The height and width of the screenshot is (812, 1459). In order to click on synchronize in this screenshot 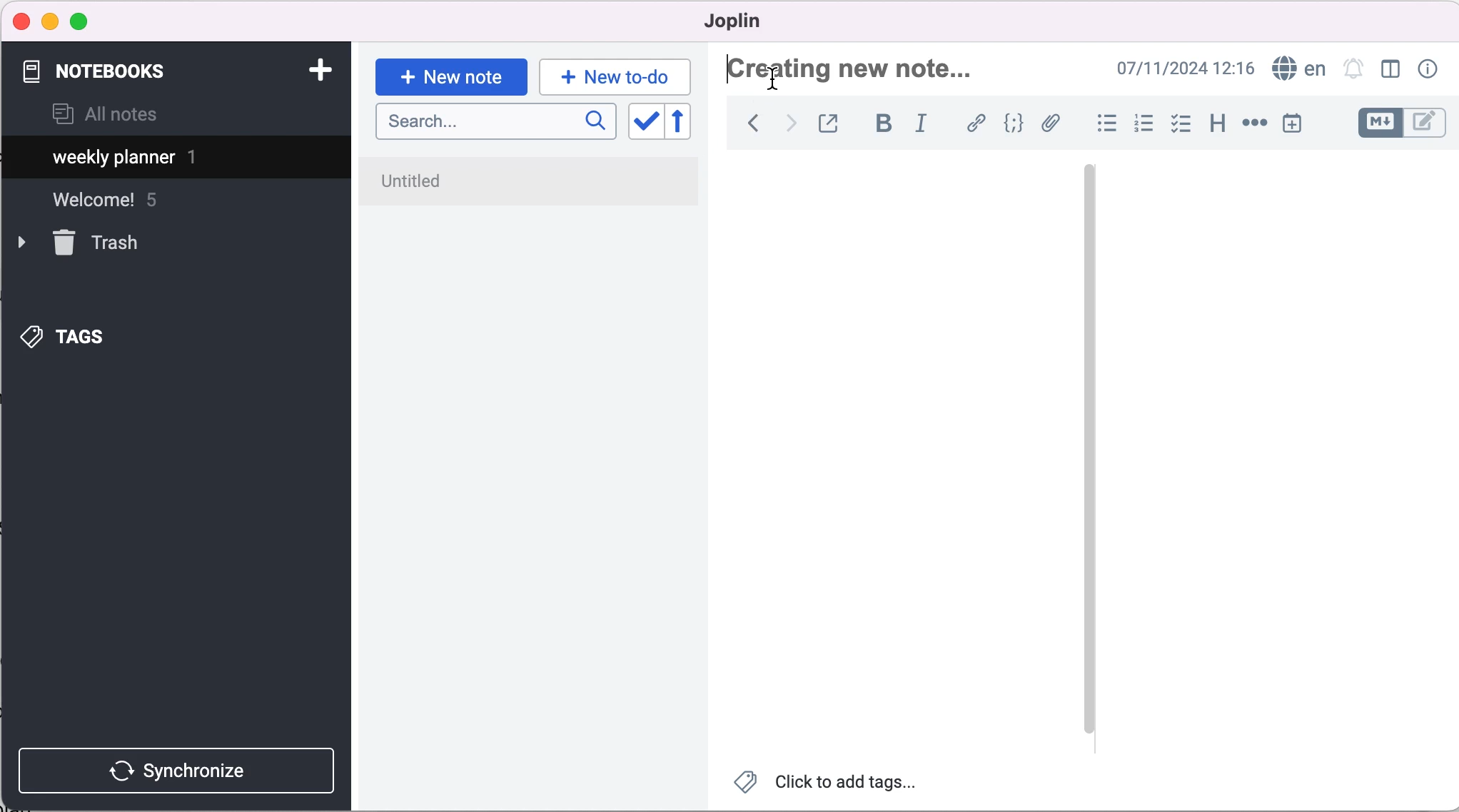, I will do `click(180, 770)`.